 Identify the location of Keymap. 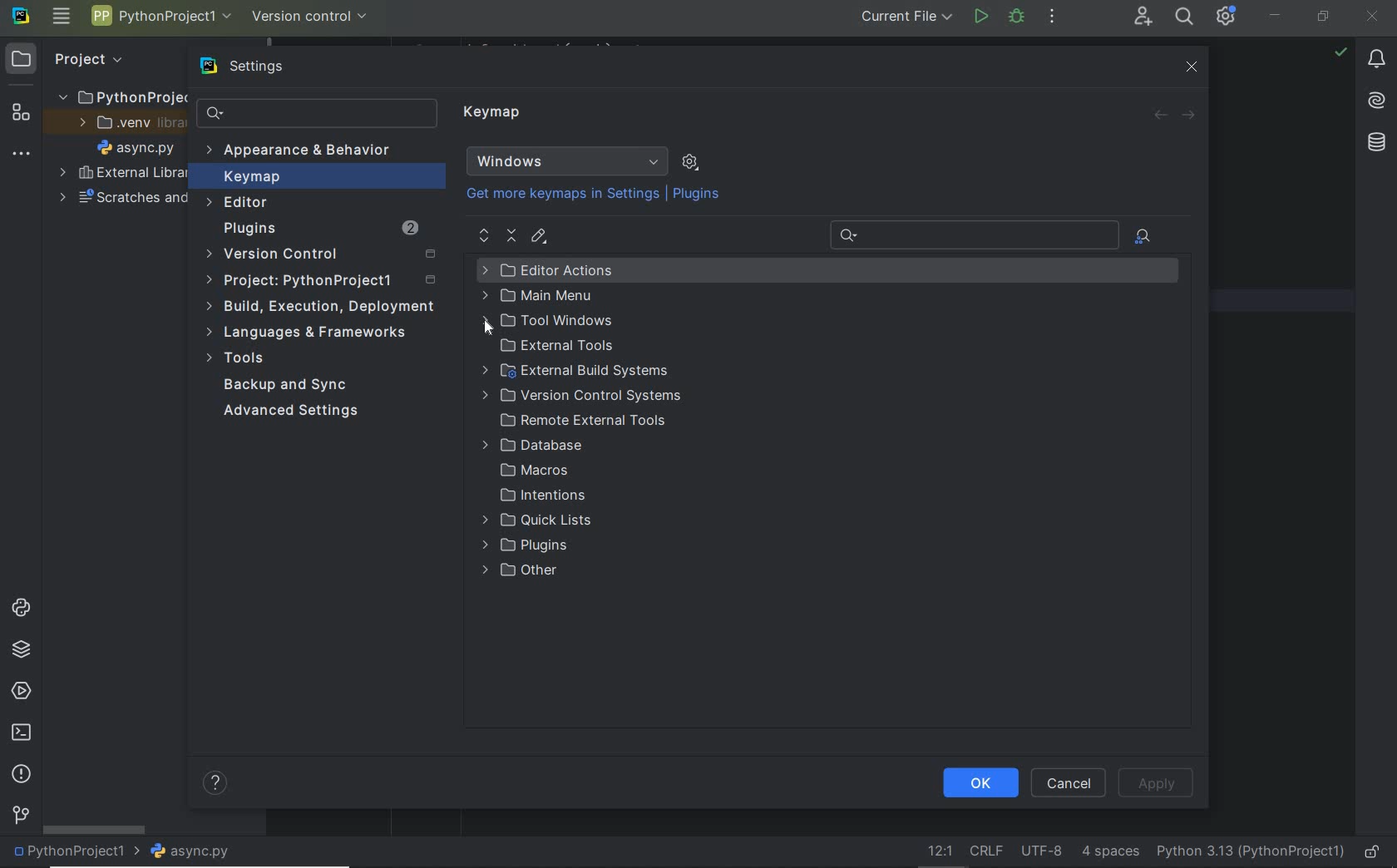
(317, 176).